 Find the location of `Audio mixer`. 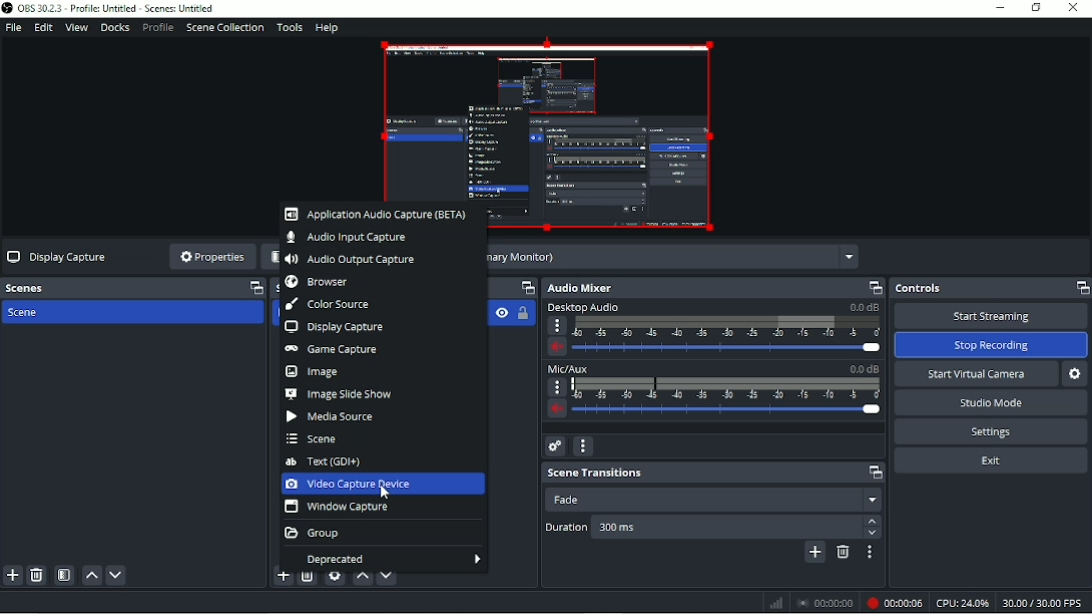

Audio mixer is located at coordinates (715, 286).